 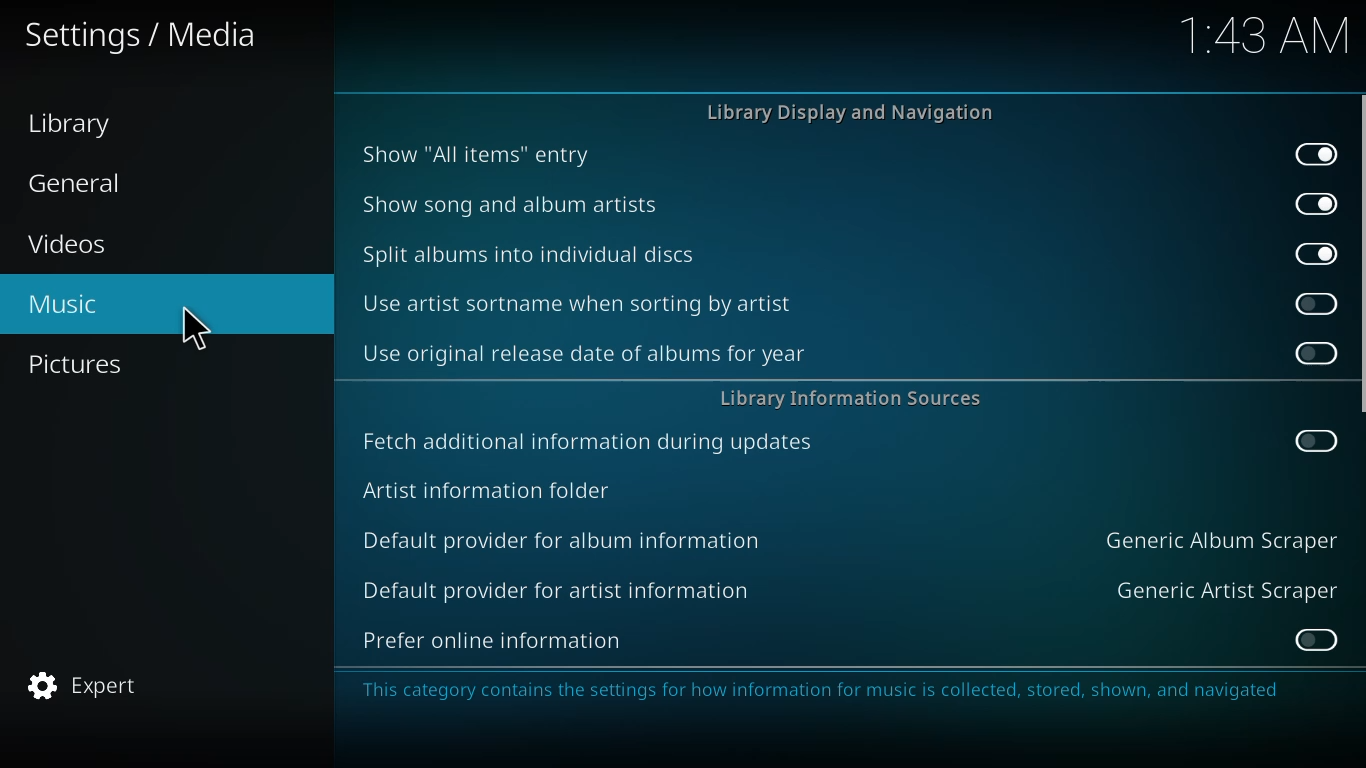 What do you see at coordinates (1258, 36) in the screenshot?
I see `time` at bounding box center [1258, 36].